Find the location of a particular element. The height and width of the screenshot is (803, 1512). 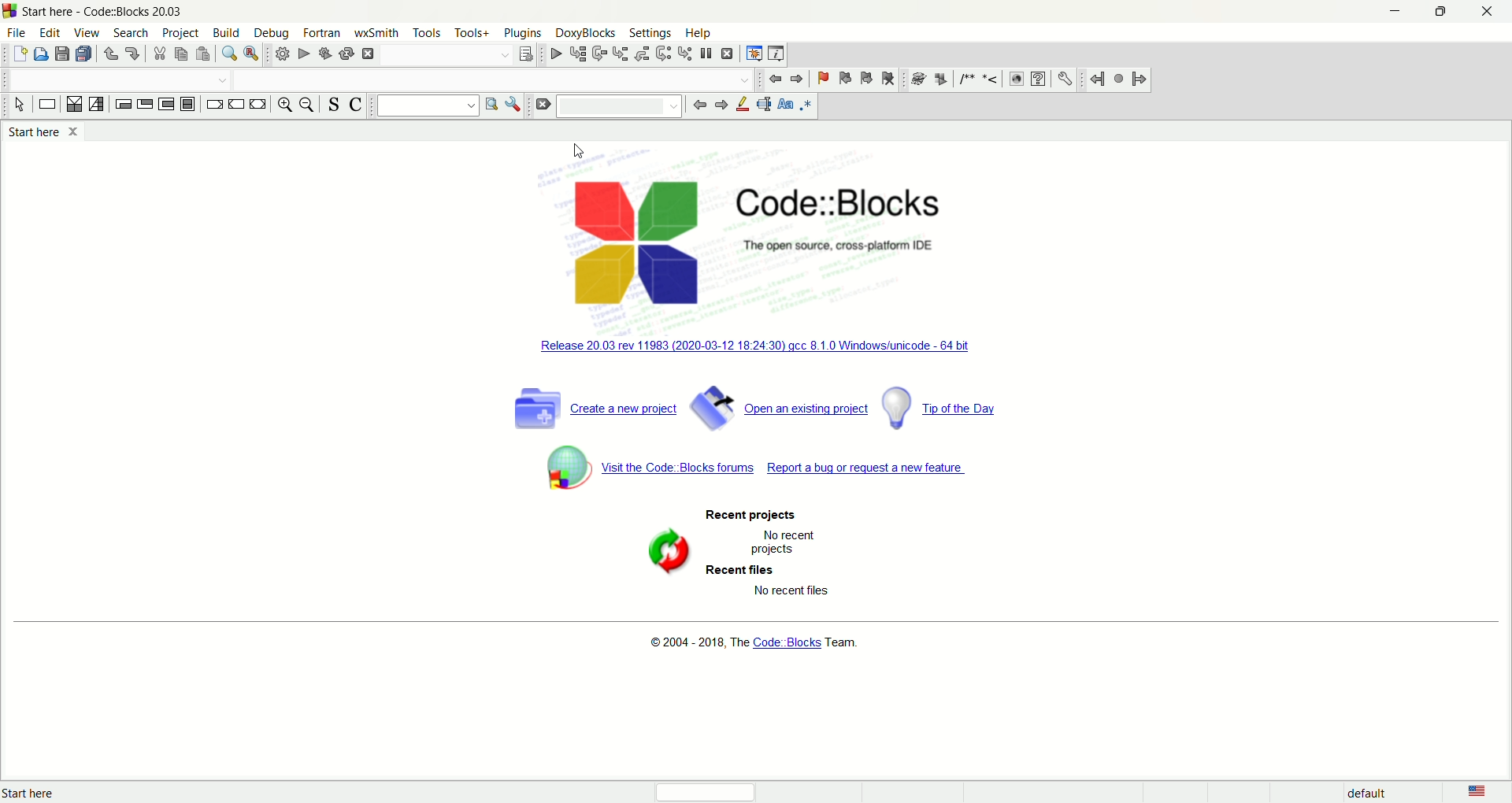

wxSmith is located at coordinates (376, 32).